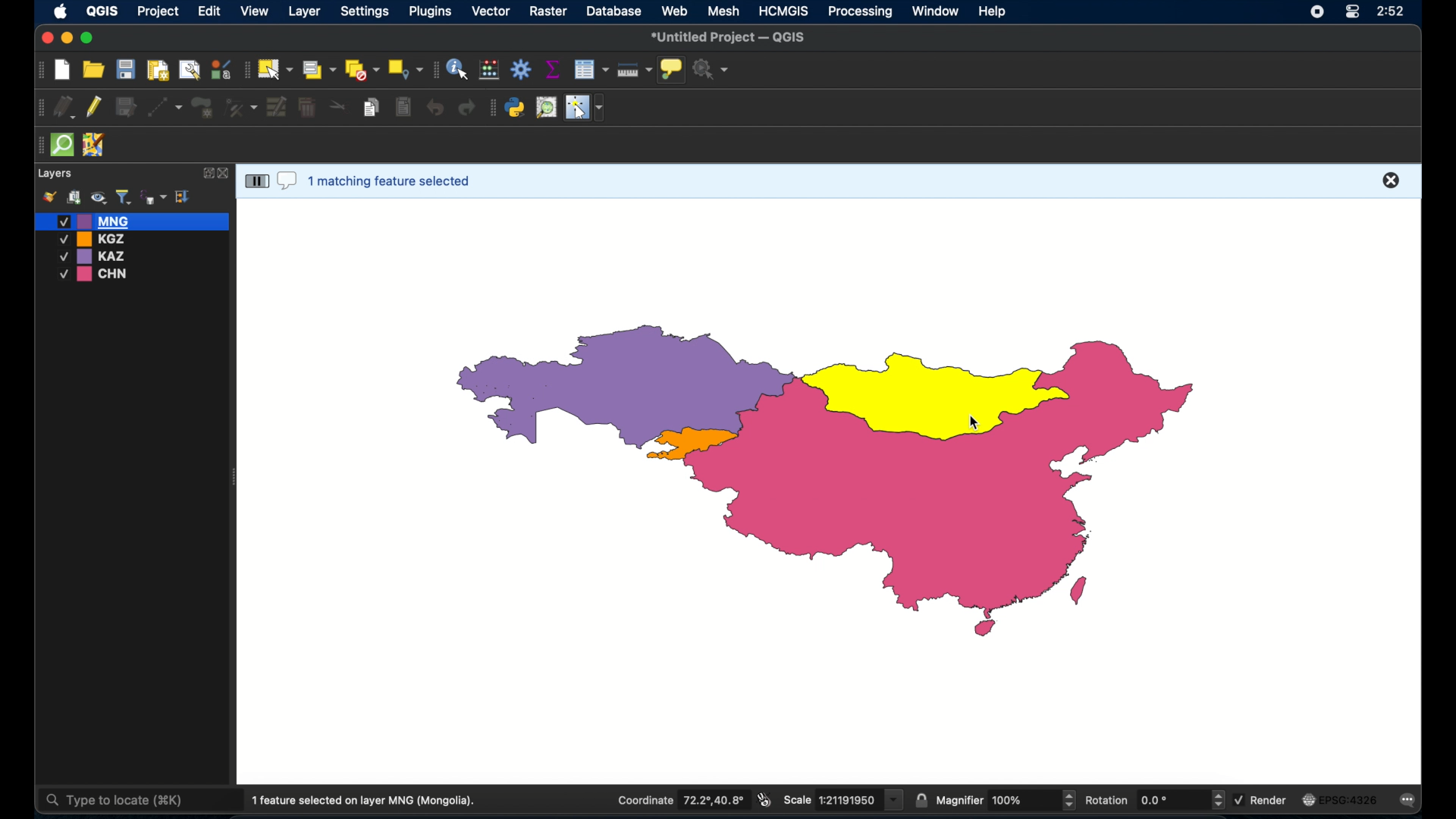 This screenshot has height=819, width=1456. What do you see at coordinates (56, 174) in the screenshot?
I see `layers` at bounding box center [56, 174].